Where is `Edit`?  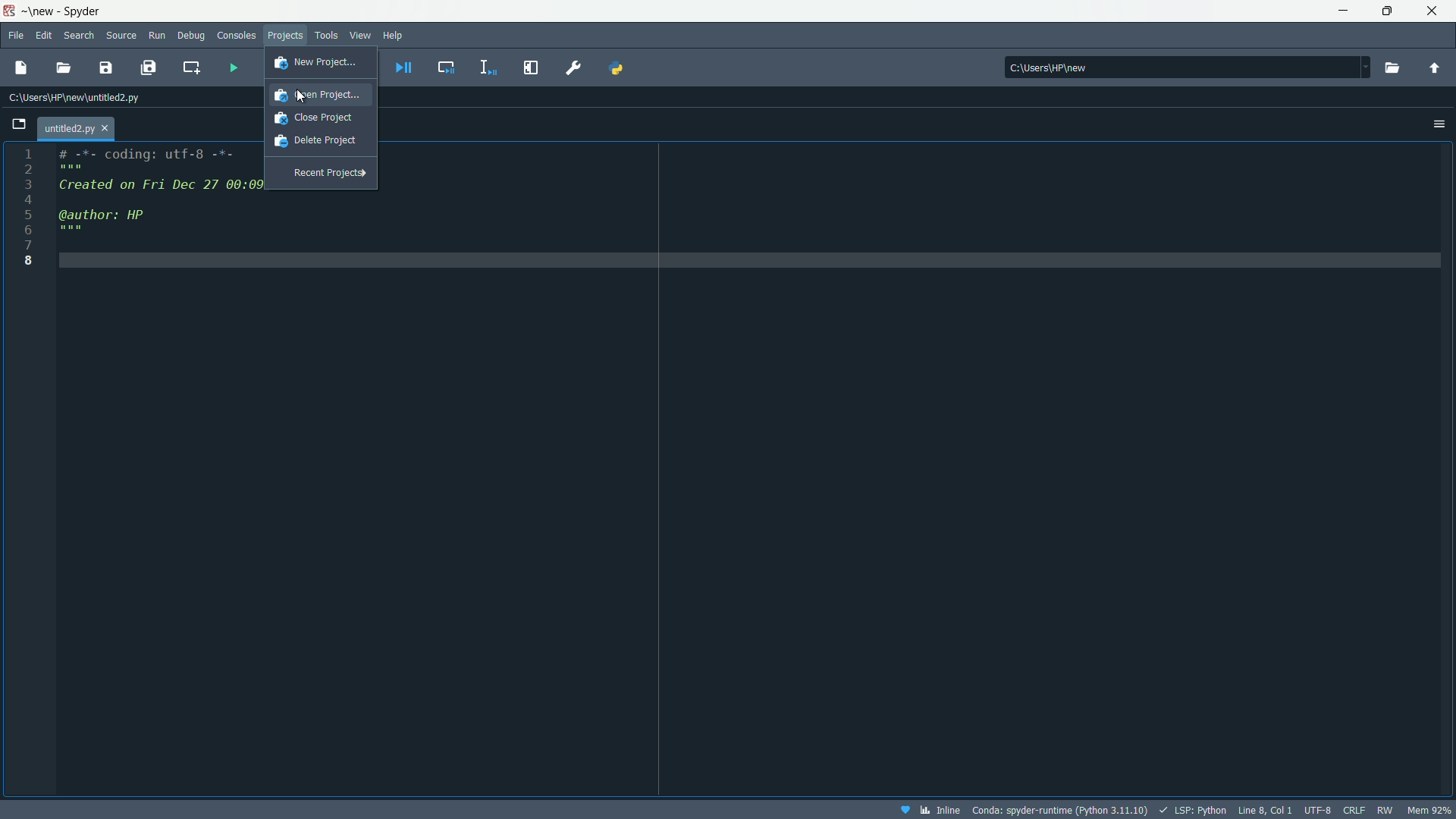
Edit is located at coordinates (45, 33).